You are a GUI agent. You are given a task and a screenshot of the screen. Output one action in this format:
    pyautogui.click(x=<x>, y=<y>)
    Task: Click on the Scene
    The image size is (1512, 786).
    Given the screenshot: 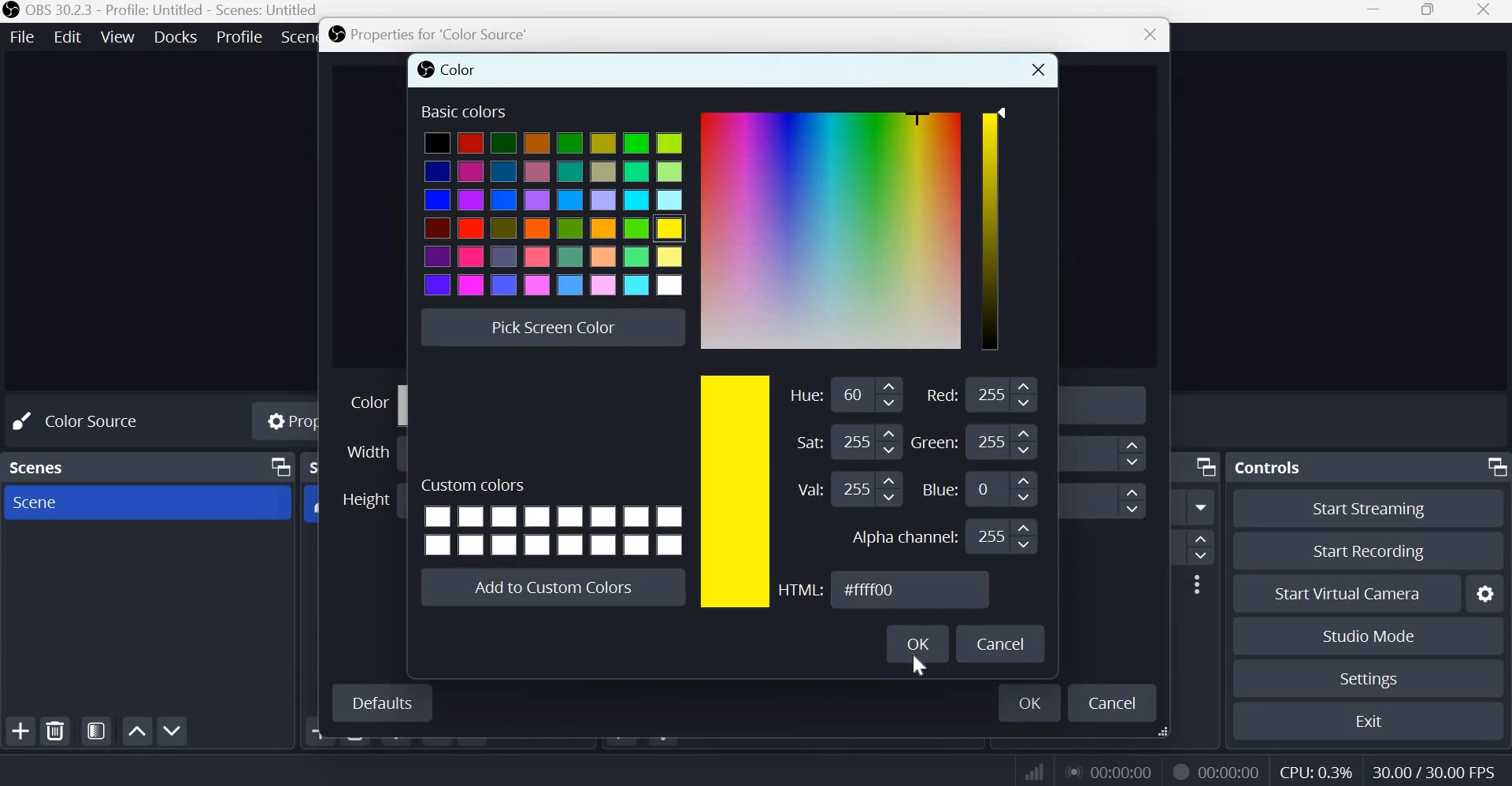 What is the action you would take?
    pyautogui.click(x=35, y=502)
    